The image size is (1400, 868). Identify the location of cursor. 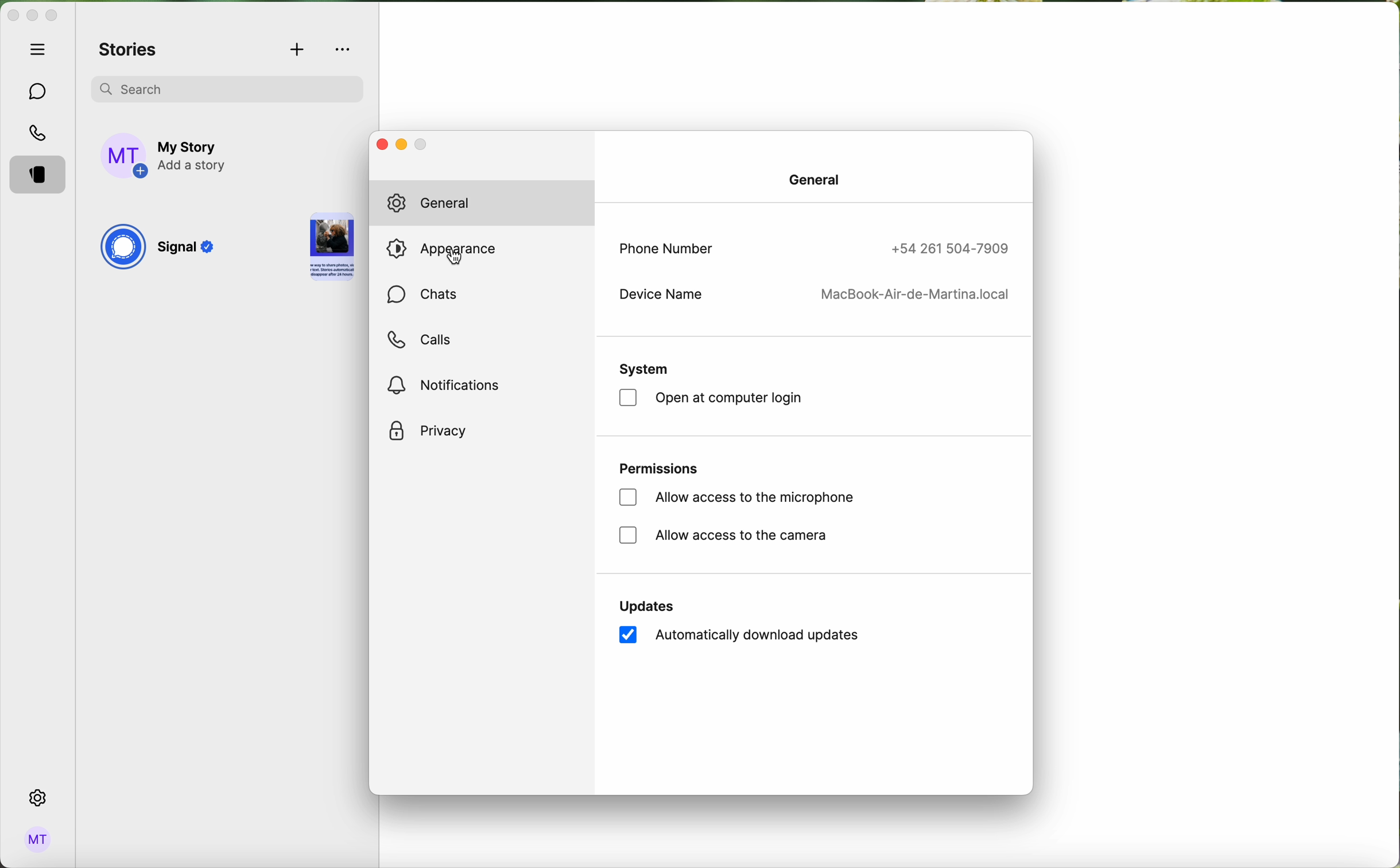
(457, 259).